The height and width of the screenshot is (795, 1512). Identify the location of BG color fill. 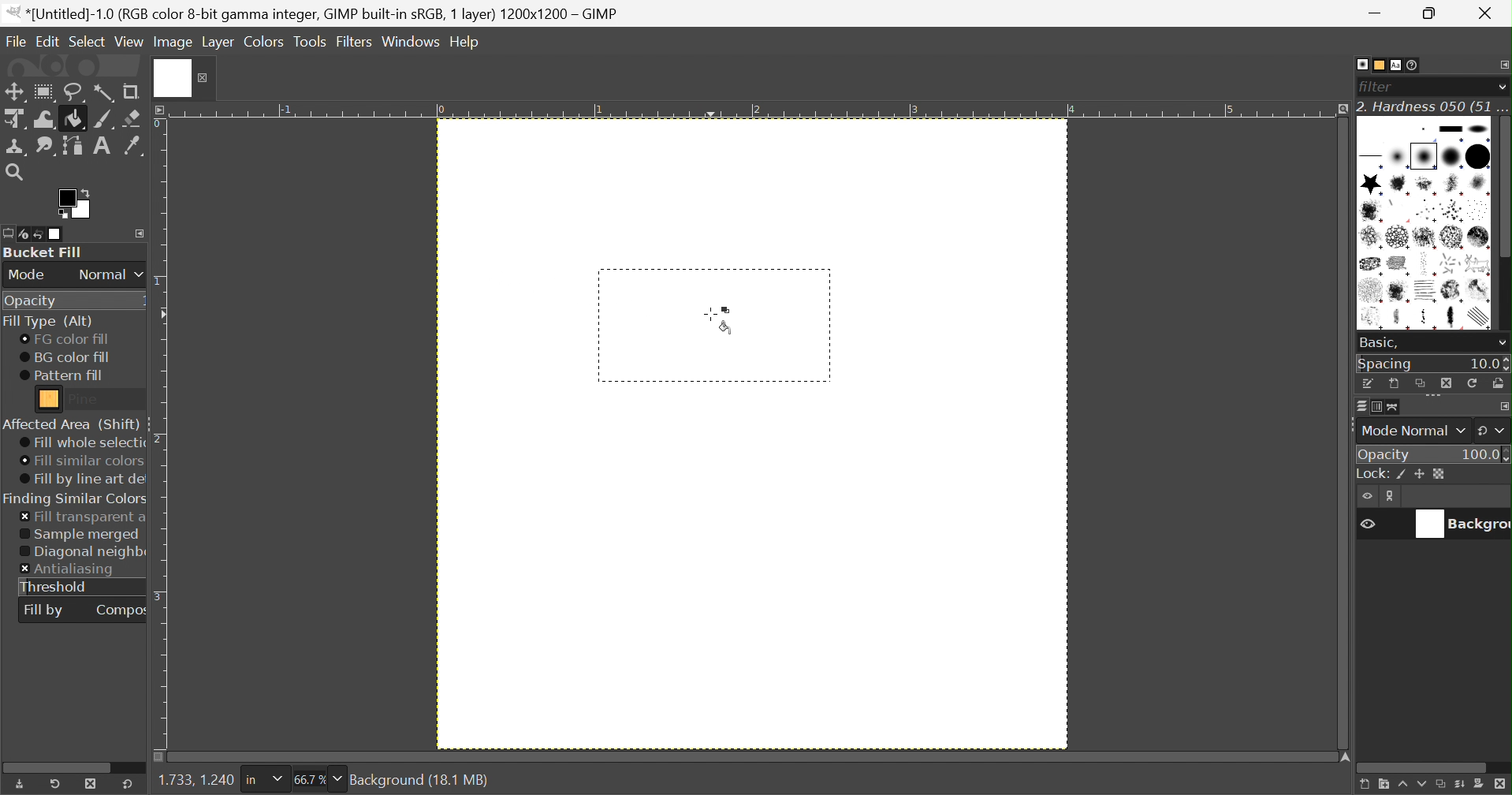
(65, 357).